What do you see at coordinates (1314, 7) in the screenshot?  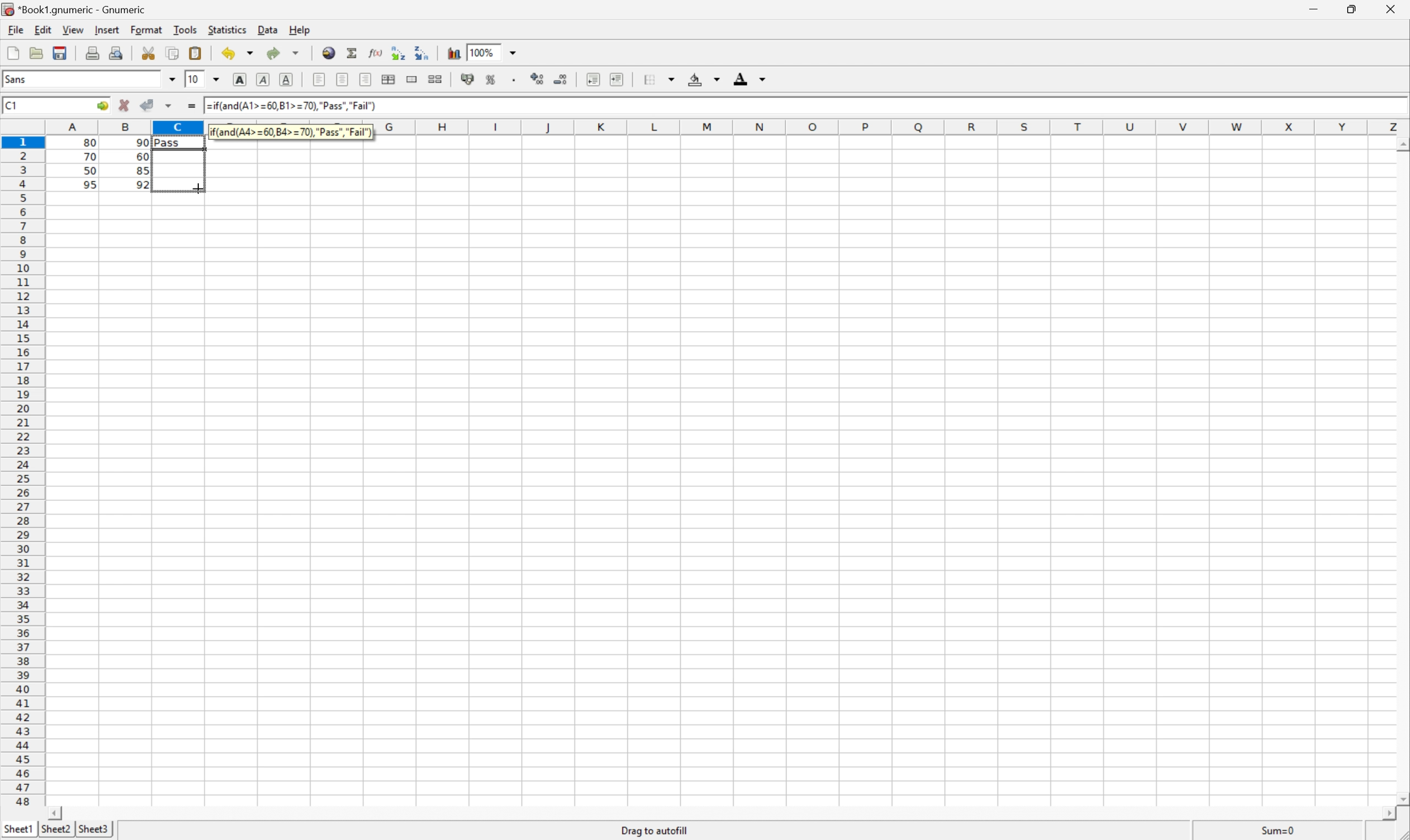 I see `Minimize` at bounding box center [1314, 7].